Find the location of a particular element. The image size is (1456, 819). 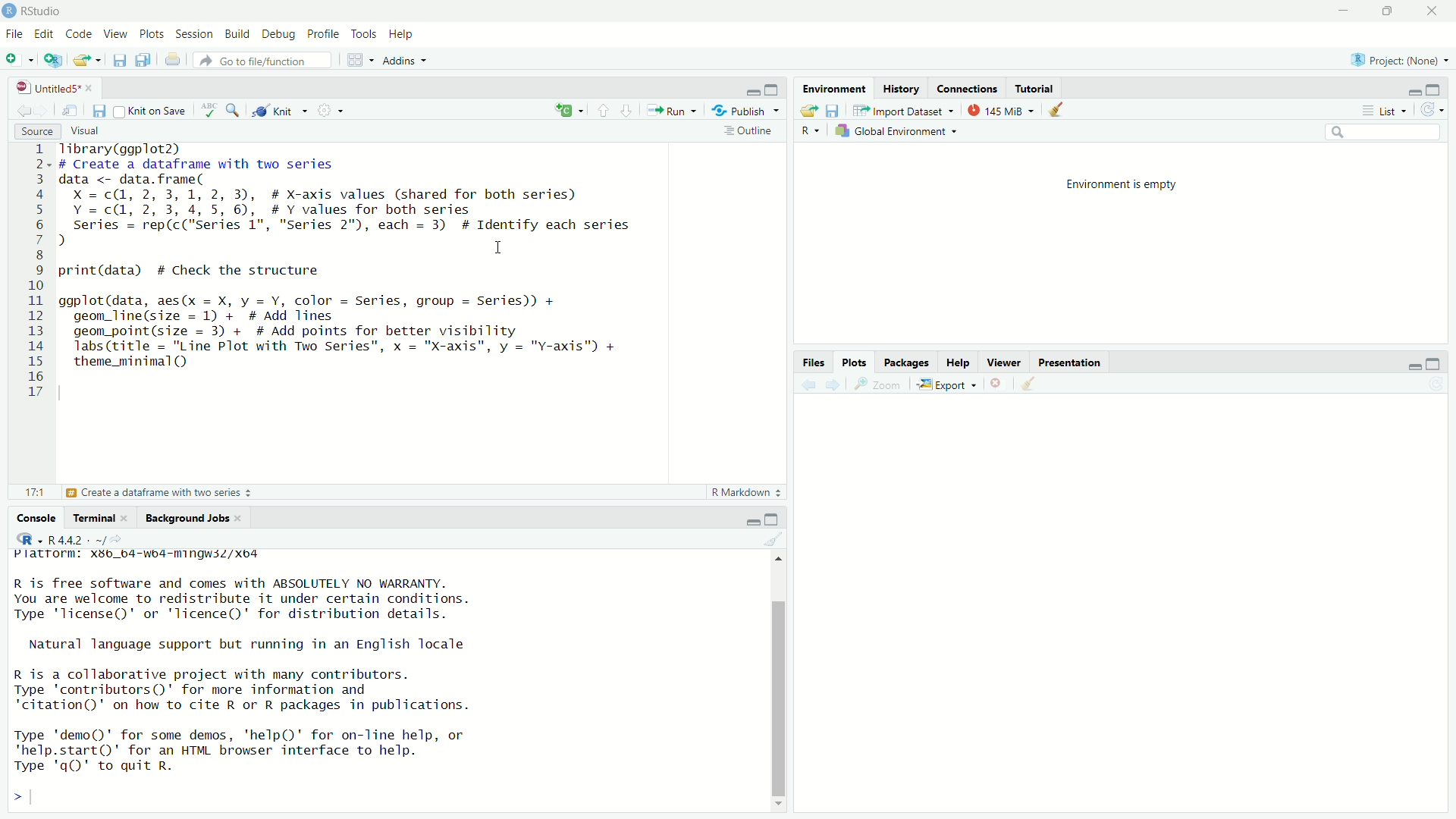

Platform.xbb_b4 "" R is free software and comes with ABSOLUTELY NO WARRANTY.You are welcome to redistribute it under certain conditions.Type "license" or 'licence()' for distribution details.Natural language support but running in an English localeR is a collaborative project with many contributors.Type 'contributors()' for more information and"citation()" on how to cite R or R packages in publications.Type "demo()' for some demos, 'help()' for on-line help, or quit R is located at coordinates (262, 661).